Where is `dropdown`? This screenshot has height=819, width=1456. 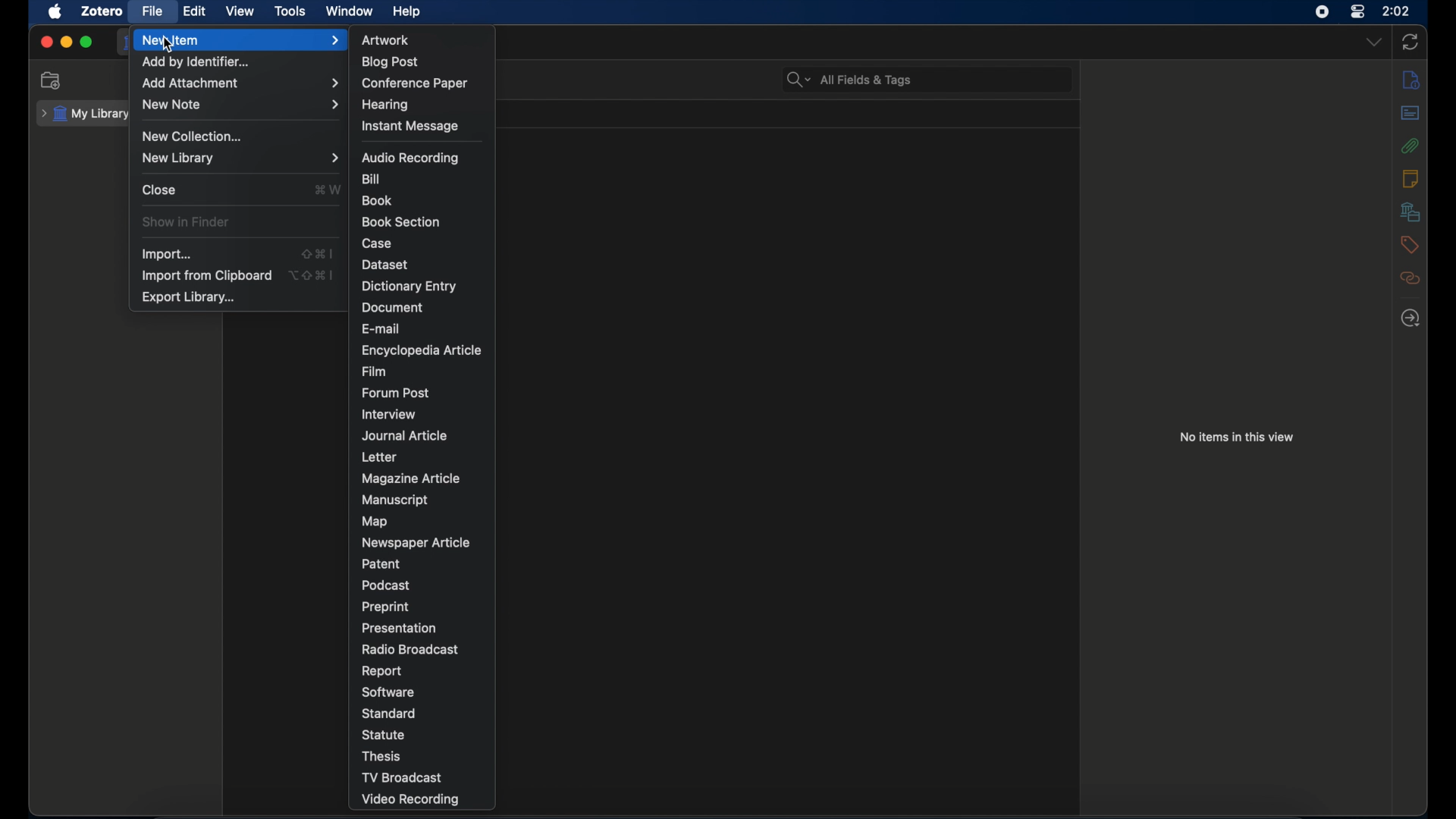
dropdown is located at coordinates (1373, 42).